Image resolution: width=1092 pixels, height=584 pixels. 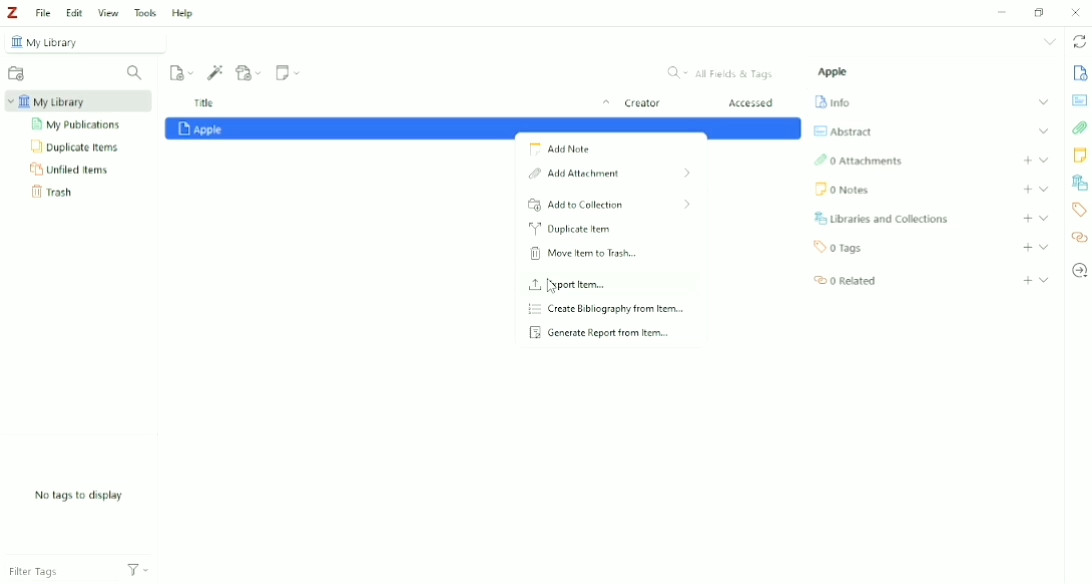 I want to click on Attachments, so click(x=1079, y=128).